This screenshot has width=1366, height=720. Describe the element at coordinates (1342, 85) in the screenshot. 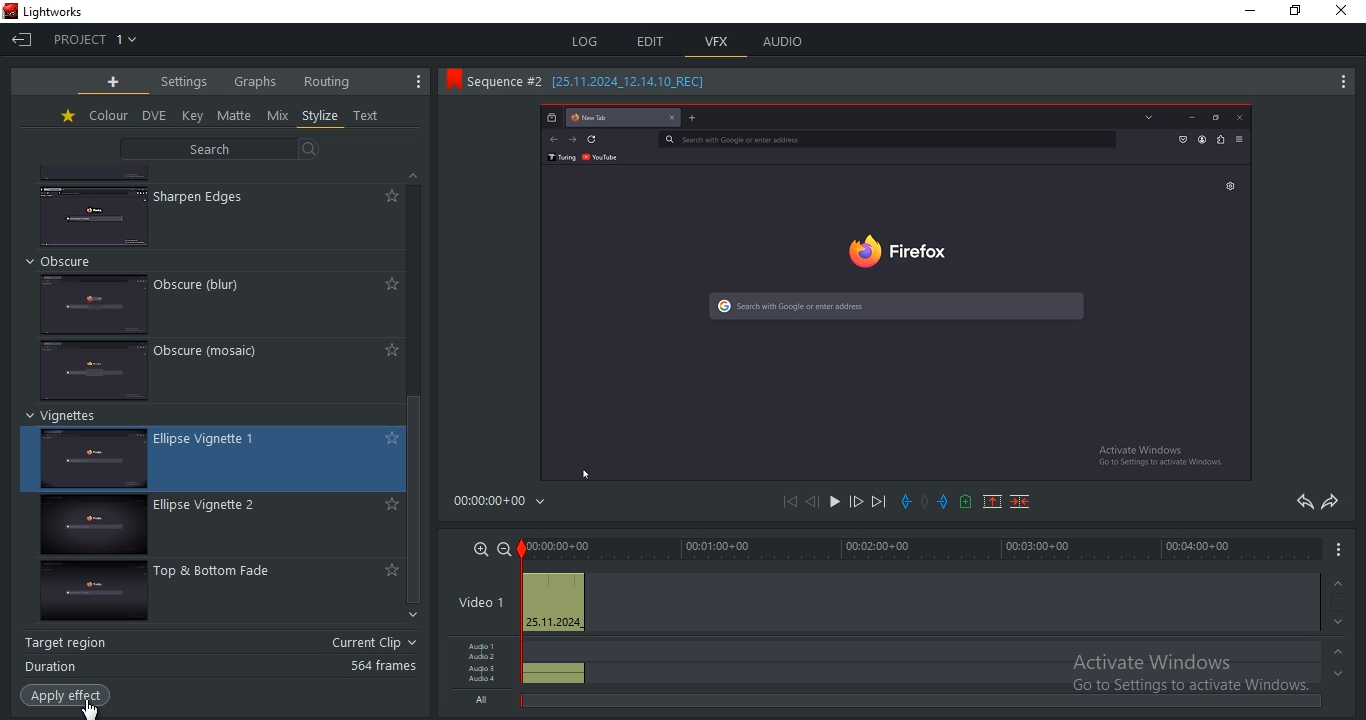

I see `Show settings menu` at that location.